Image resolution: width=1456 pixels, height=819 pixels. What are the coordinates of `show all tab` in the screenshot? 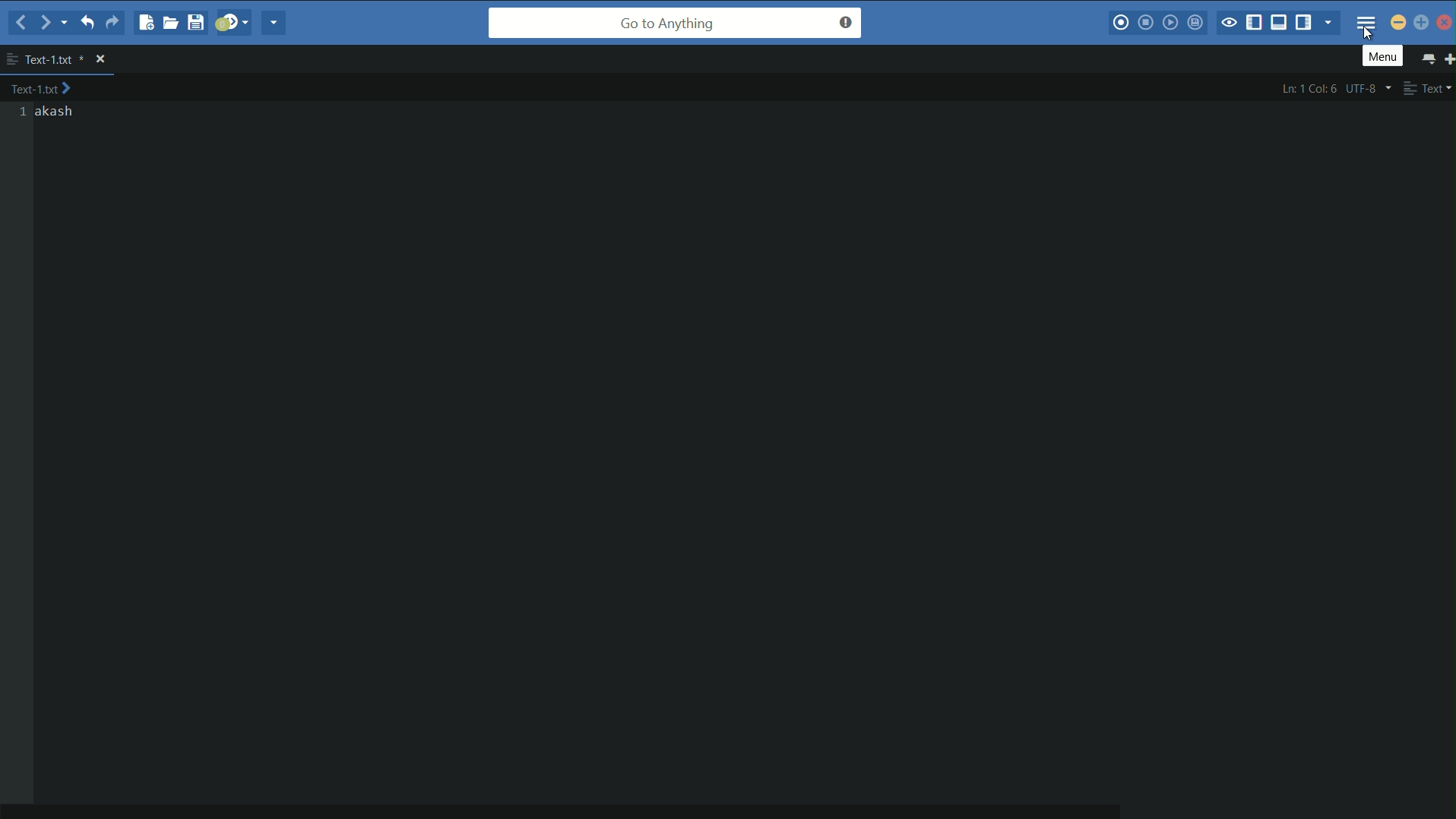 It's located at (1426, 58).